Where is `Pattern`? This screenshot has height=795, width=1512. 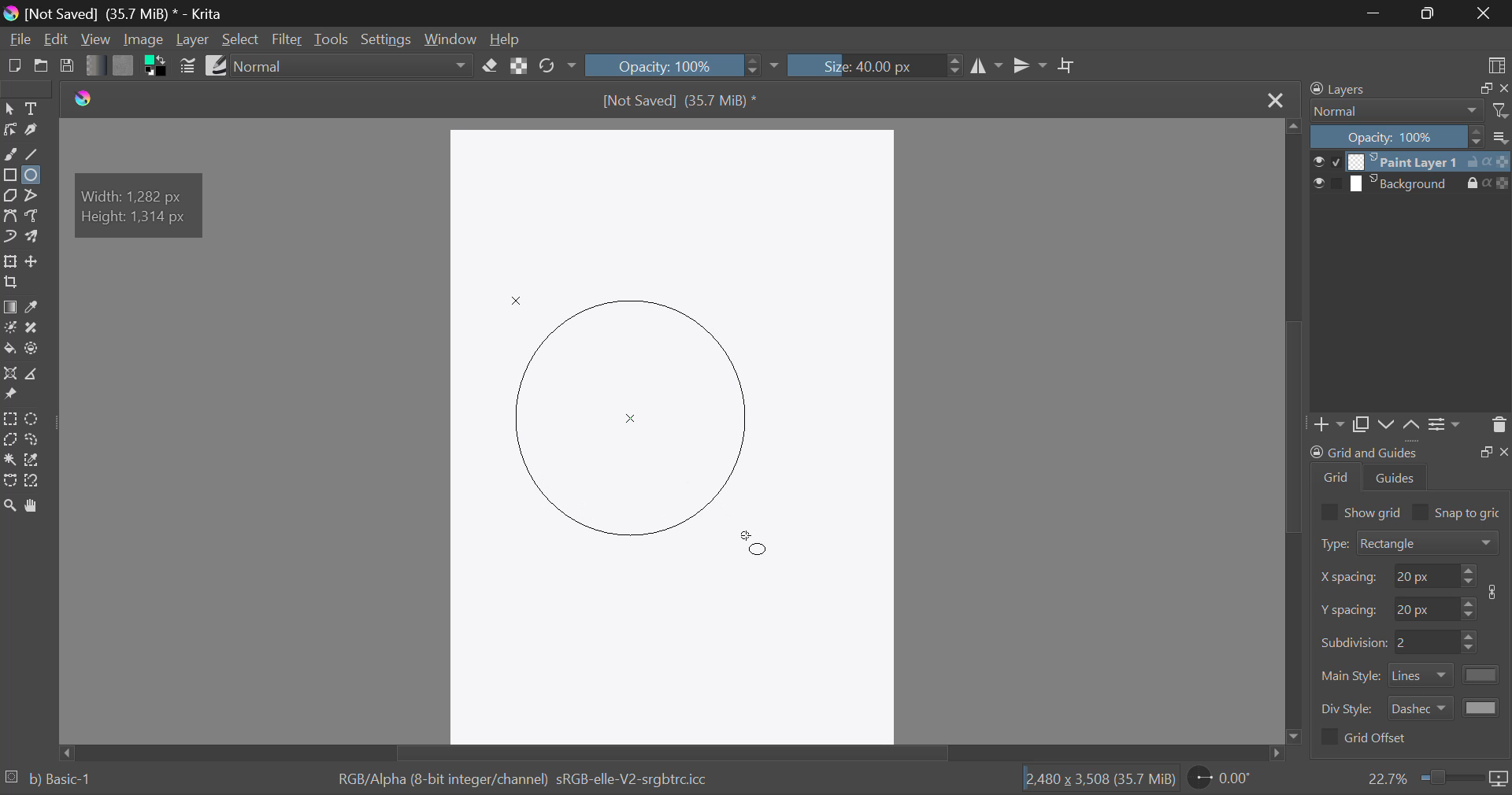
Pattern is located at coordinates (123, 68).